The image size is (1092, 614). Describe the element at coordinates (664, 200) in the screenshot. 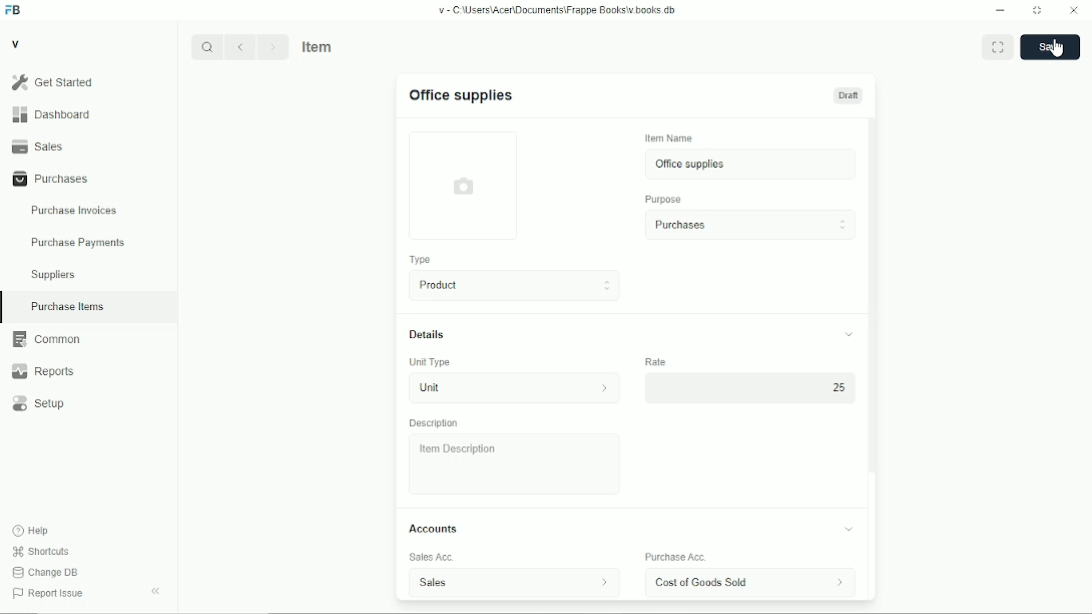

I see `purpose` at that location.